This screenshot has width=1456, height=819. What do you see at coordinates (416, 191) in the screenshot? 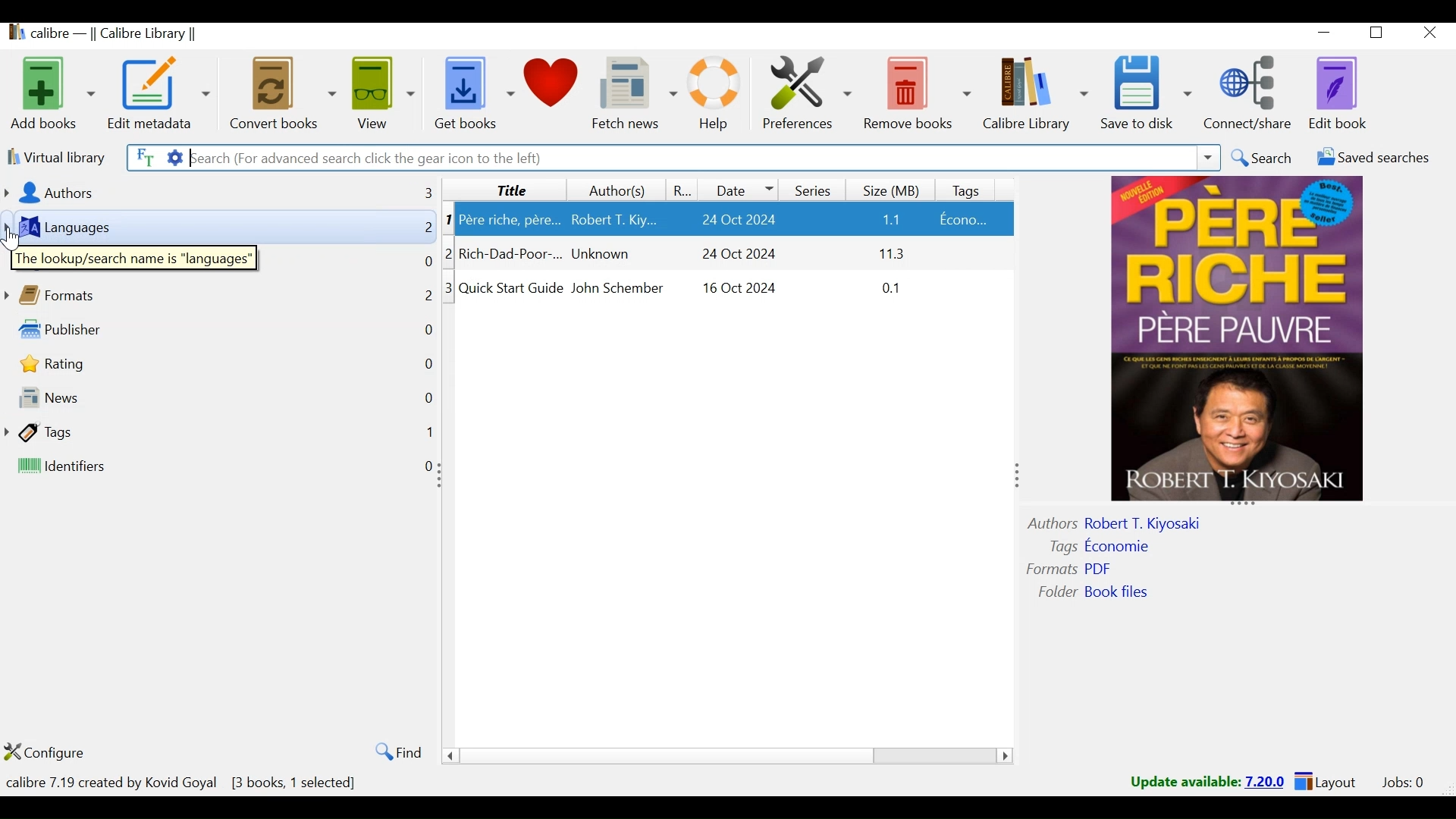
I see `3` at bounding box center [416, 191].